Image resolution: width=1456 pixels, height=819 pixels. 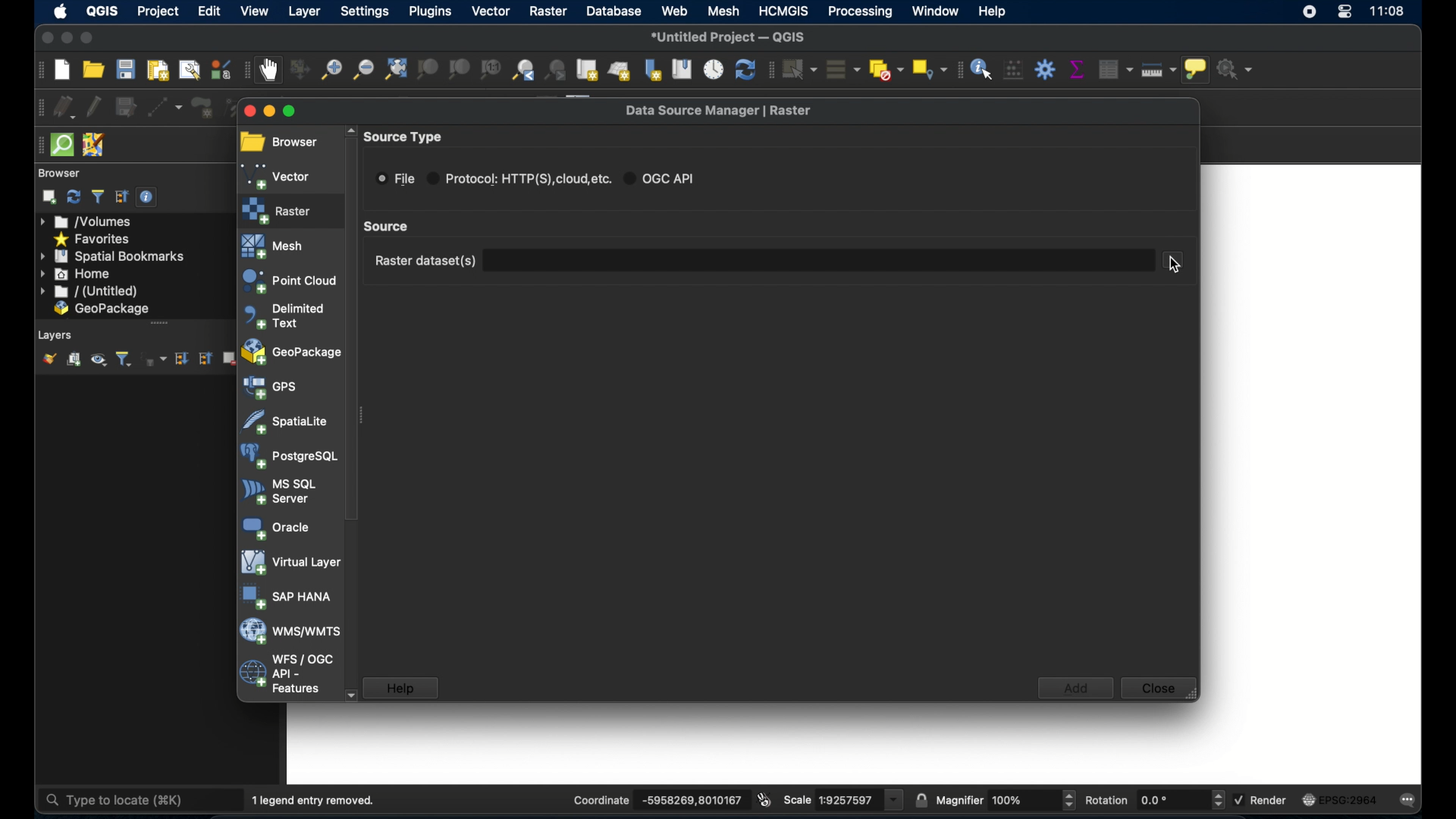 What do you see at coordinates (1238, 799) in the screenshot?
I see `checkbox` at bounding box center [1238, 799].